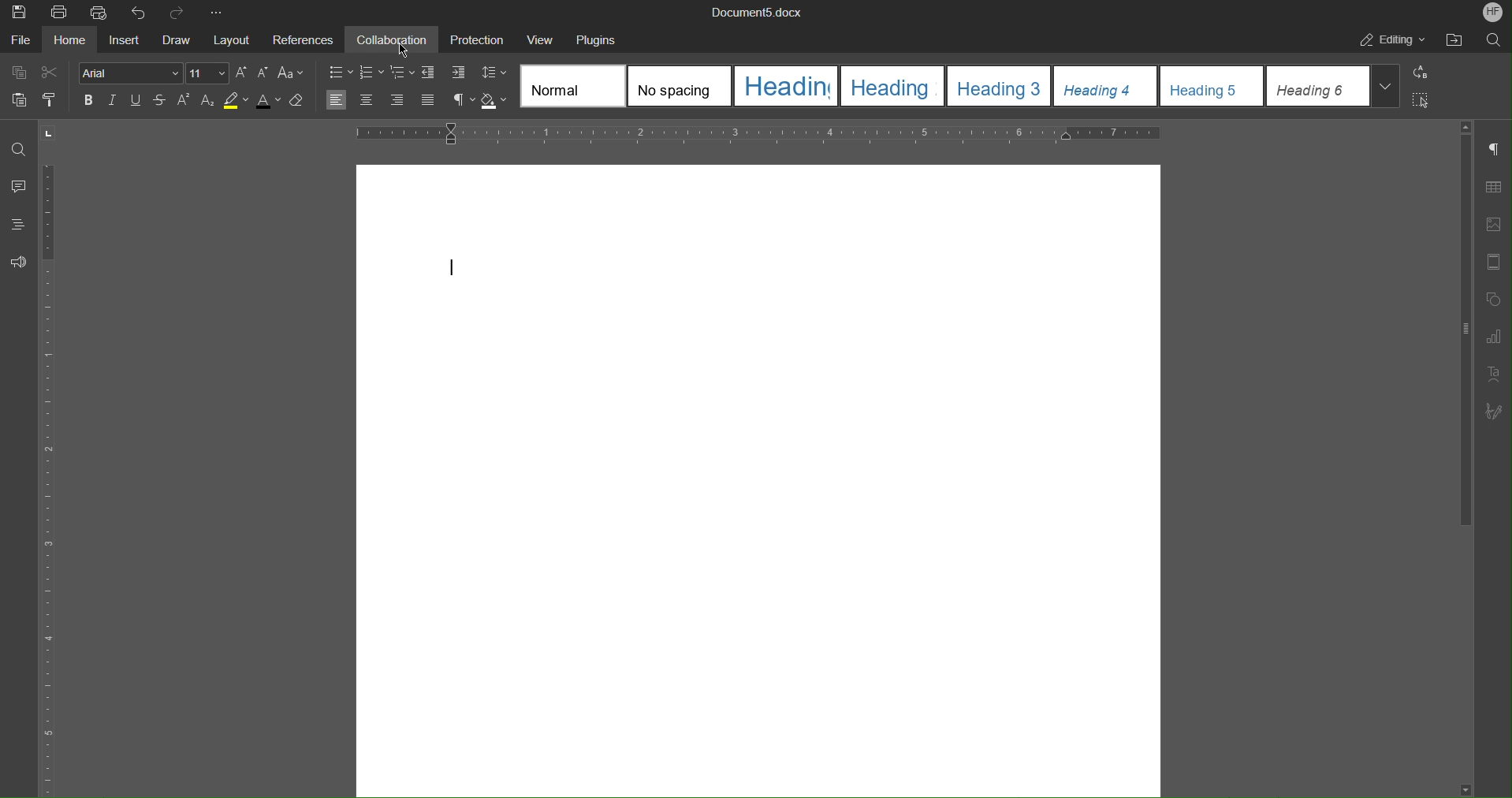 The height and width of the screenshot is (798, 1512). What do you see at coordinates (20, 268) in the screenshot?
I see `Feedback and Support` at bounding box center [20, 268].